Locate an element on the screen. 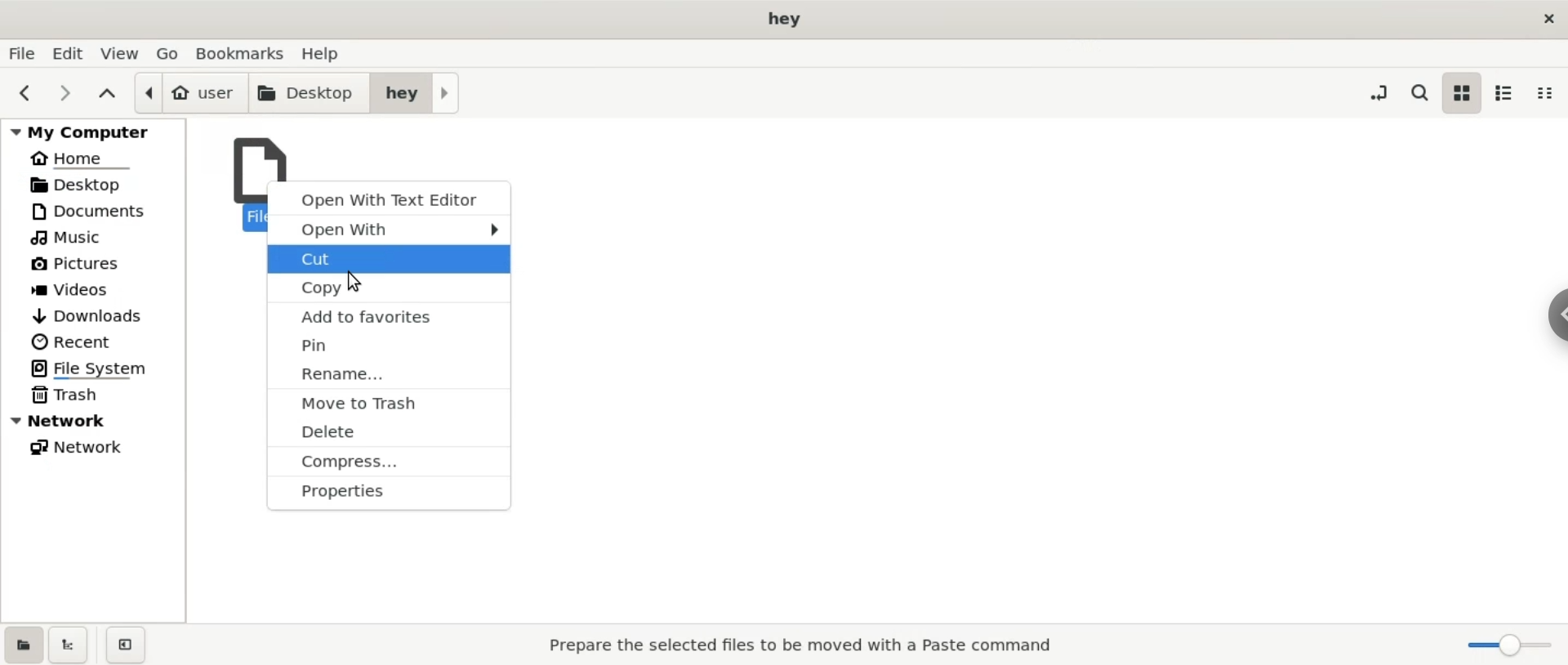 This screenshot has height=665, width=1568. go is located at coordinates (163, 54).